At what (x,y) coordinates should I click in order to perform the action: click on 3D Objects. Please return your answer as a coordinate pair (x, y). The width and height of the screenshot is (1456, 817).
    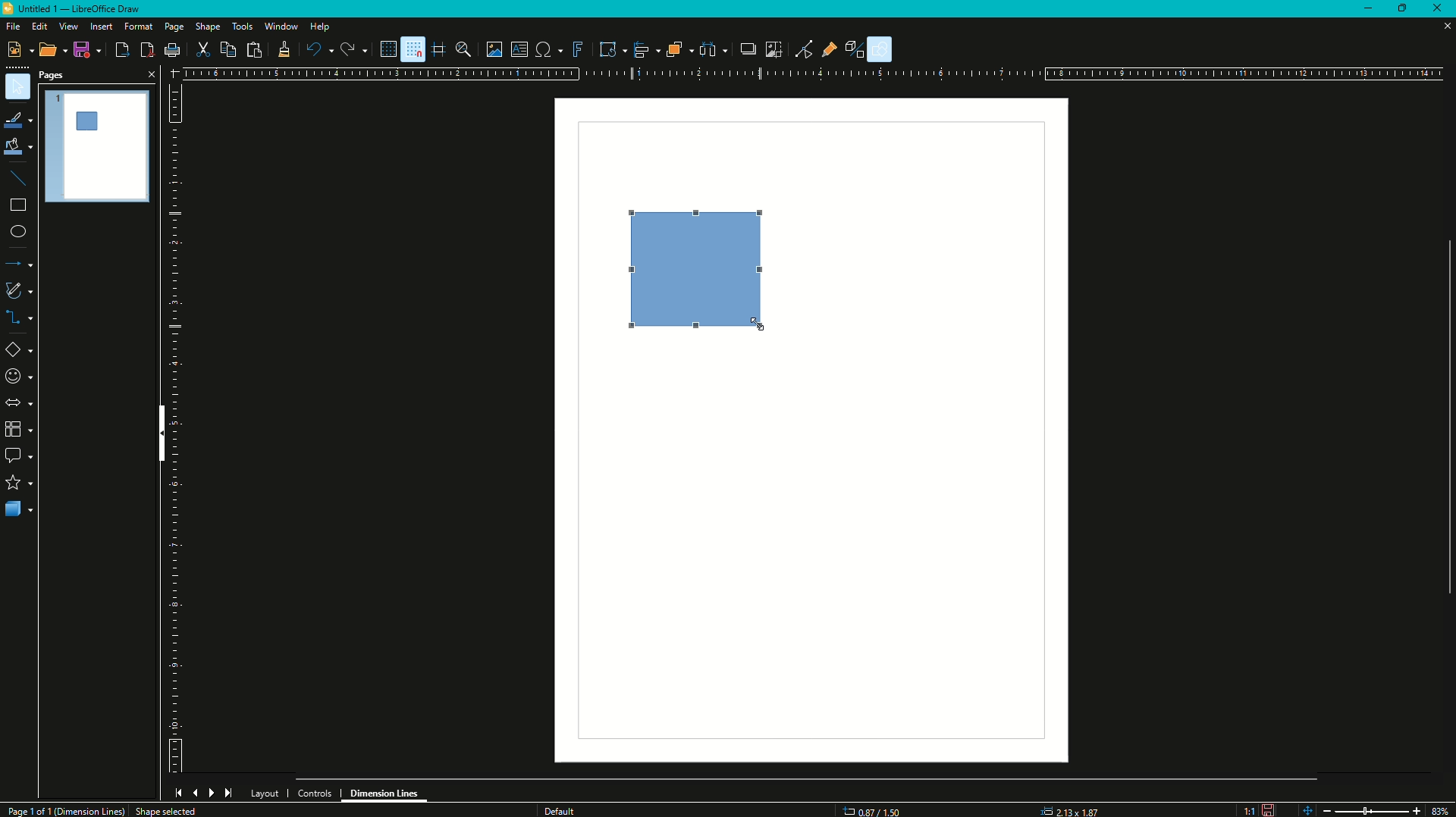
    Looking at the image, I should click on (19, 511).